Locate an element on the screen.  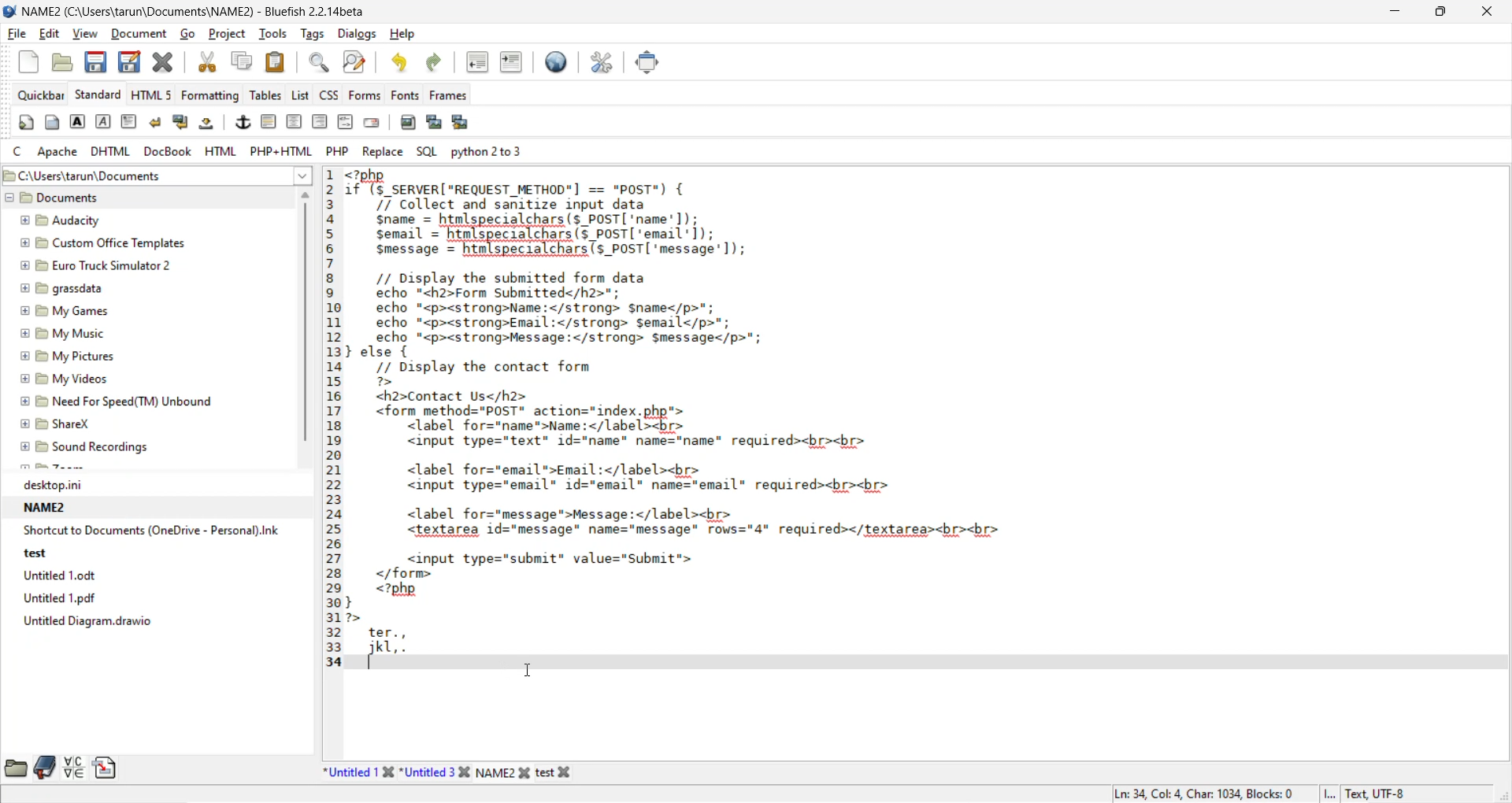
ShareX. is located at coordinates (61, 424).